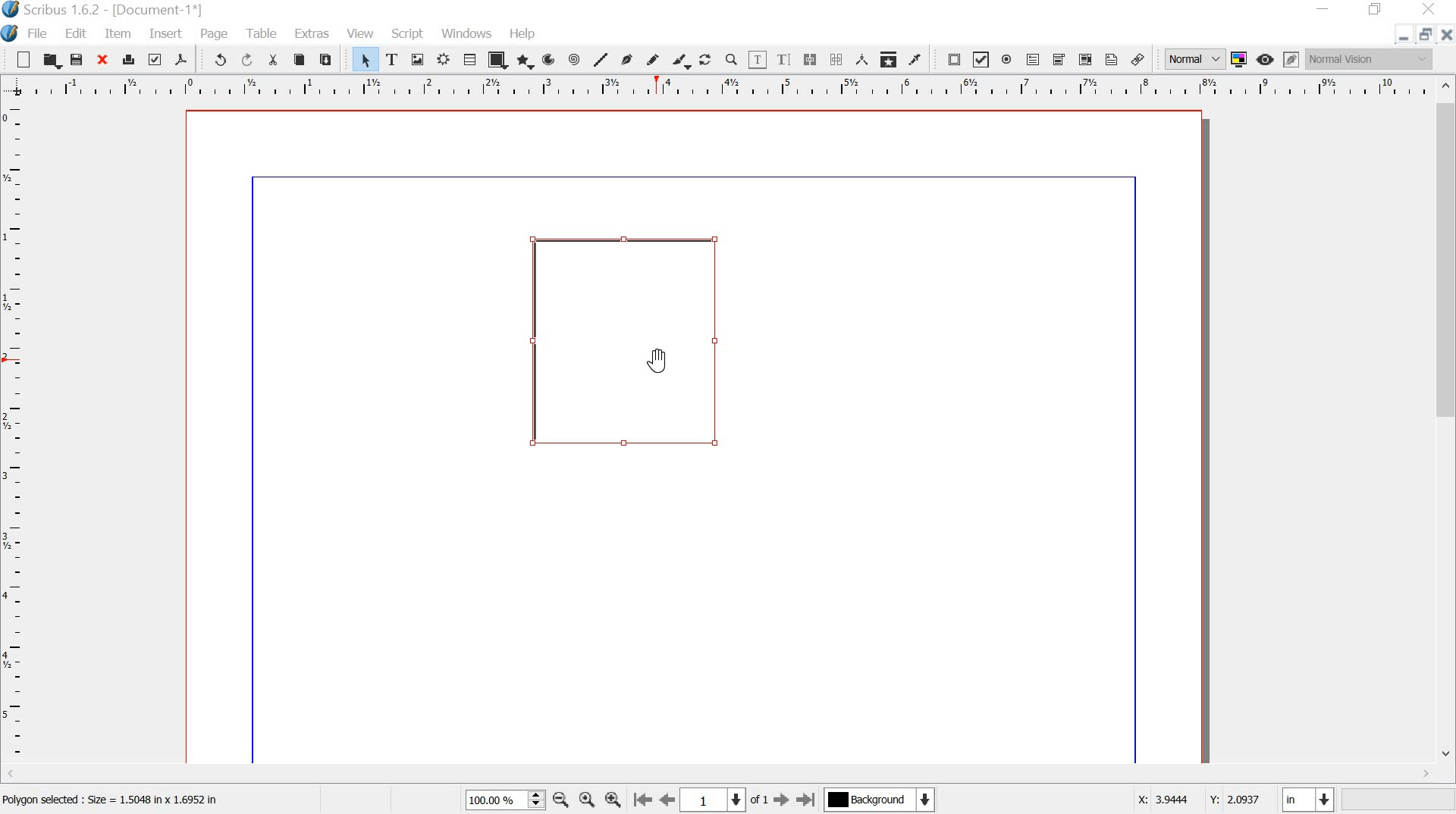  What do you see at coordinates (656, 61) in the screenshot?
I see `freehand line` at bounding box center [656, 61].